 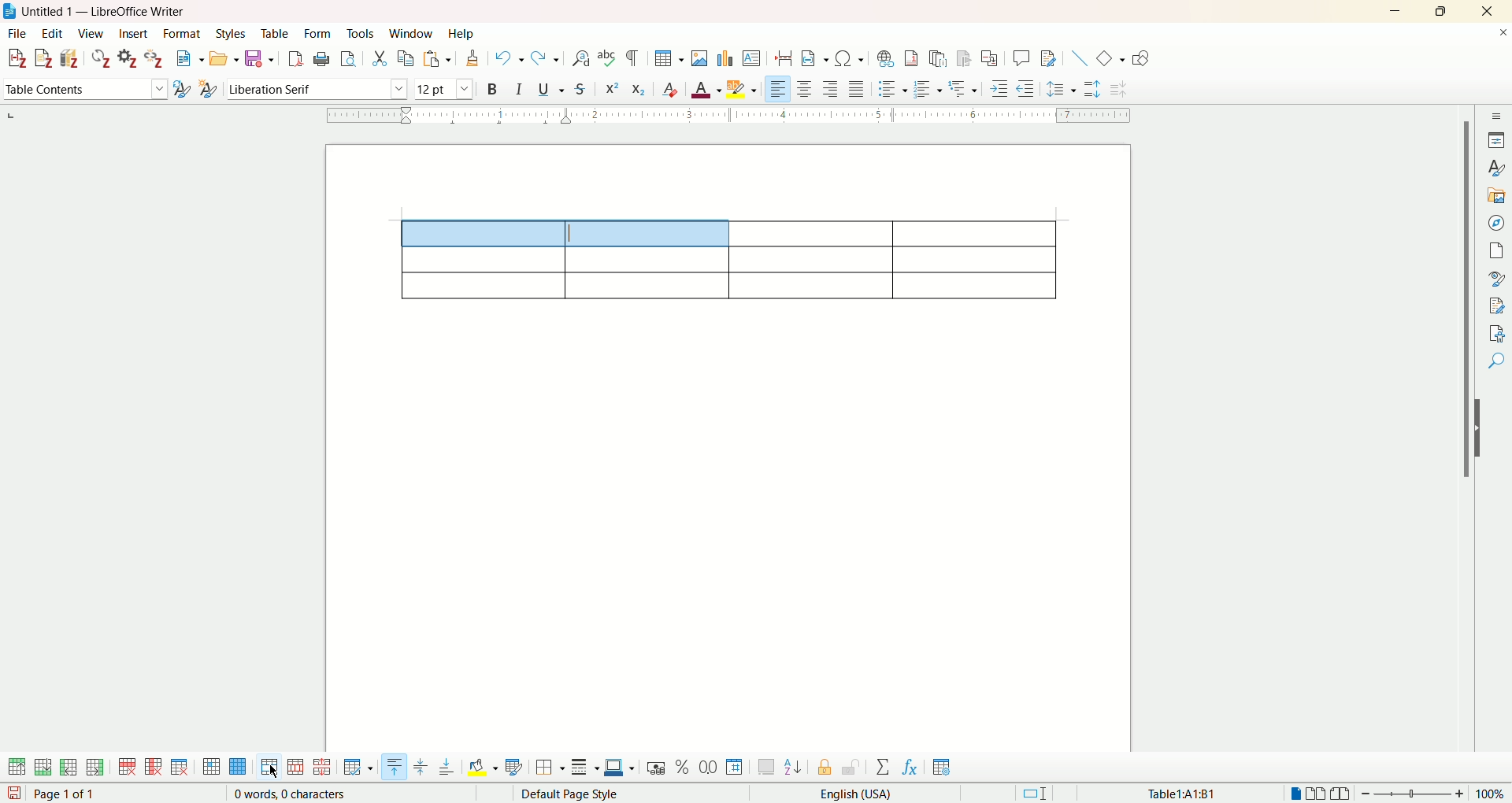 I want to click on view, so click(x=91, y=32).